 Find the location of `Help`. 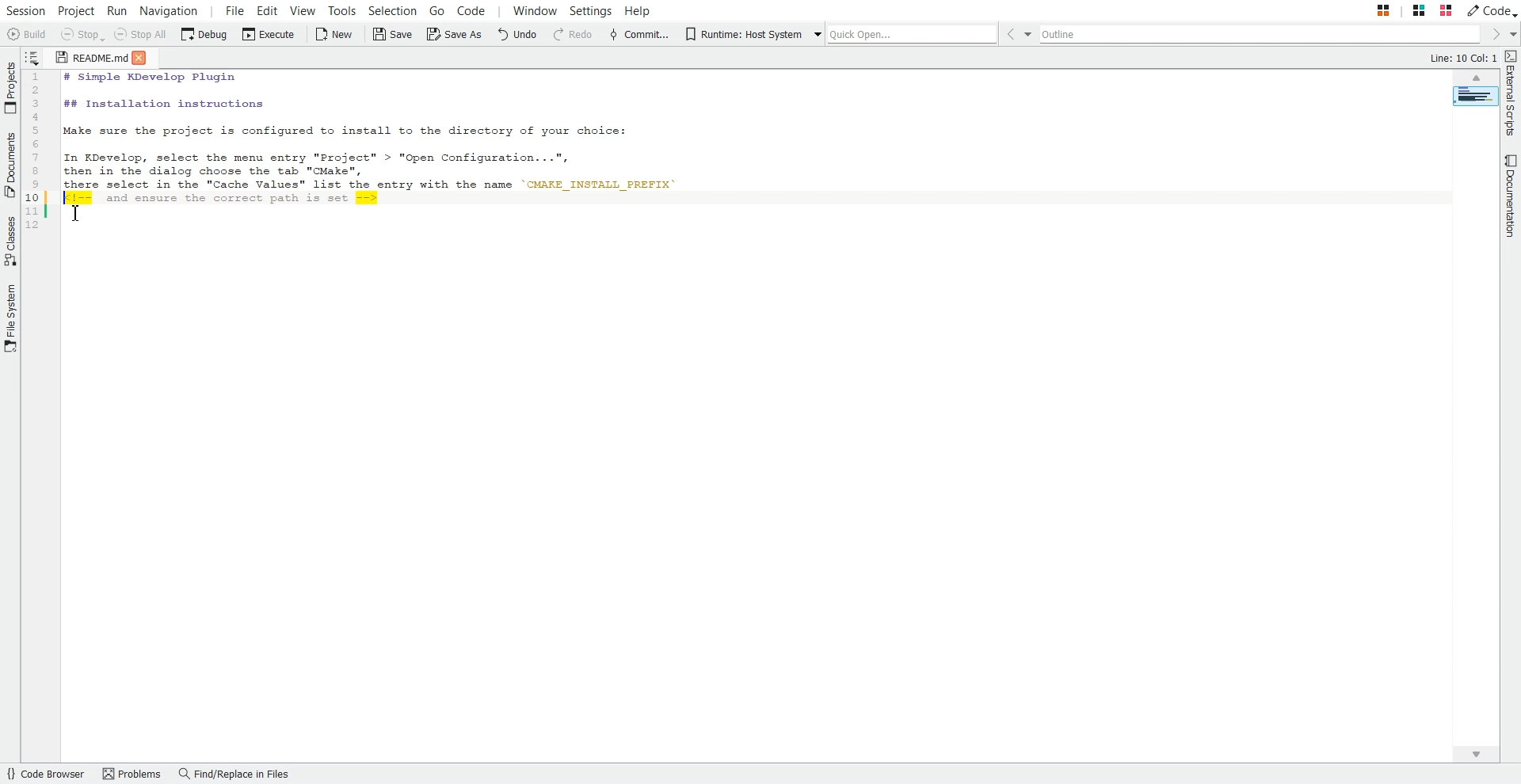

Help is located at coordinates (638, 10).